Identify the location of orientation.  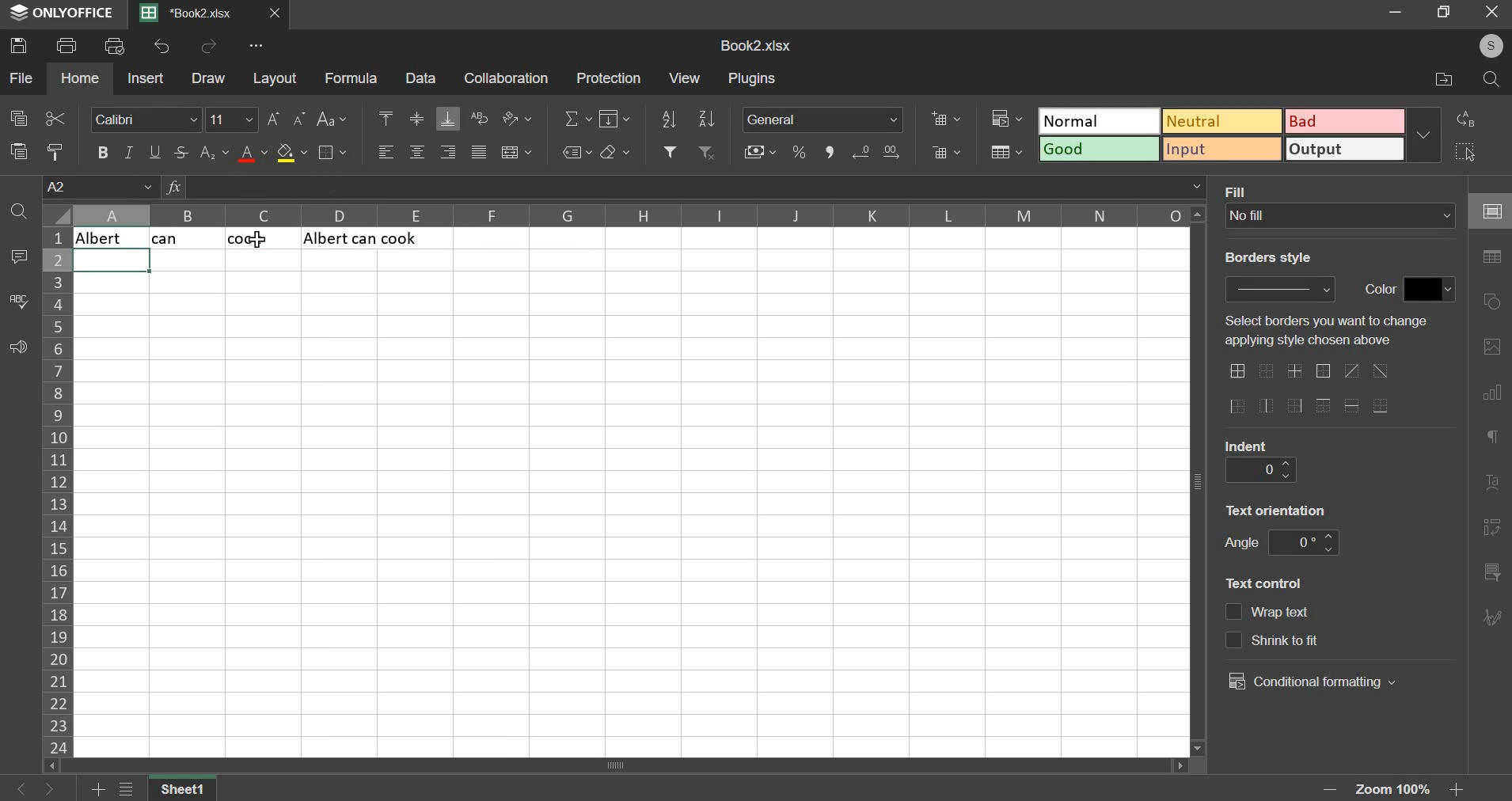
(517, 118).